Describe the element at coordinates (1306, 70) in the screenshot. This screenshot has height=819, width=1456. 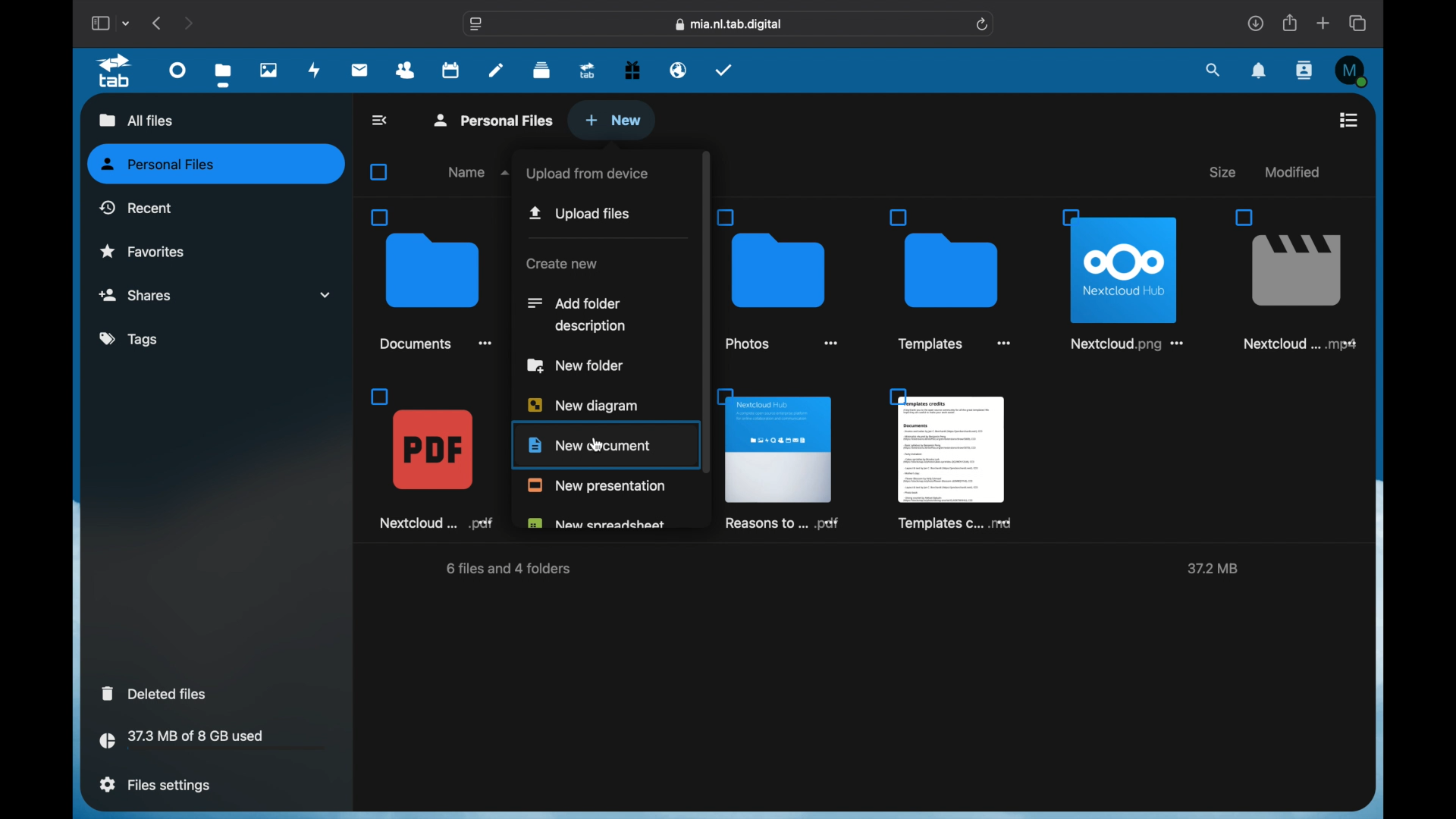
I see `contacts` at that location.